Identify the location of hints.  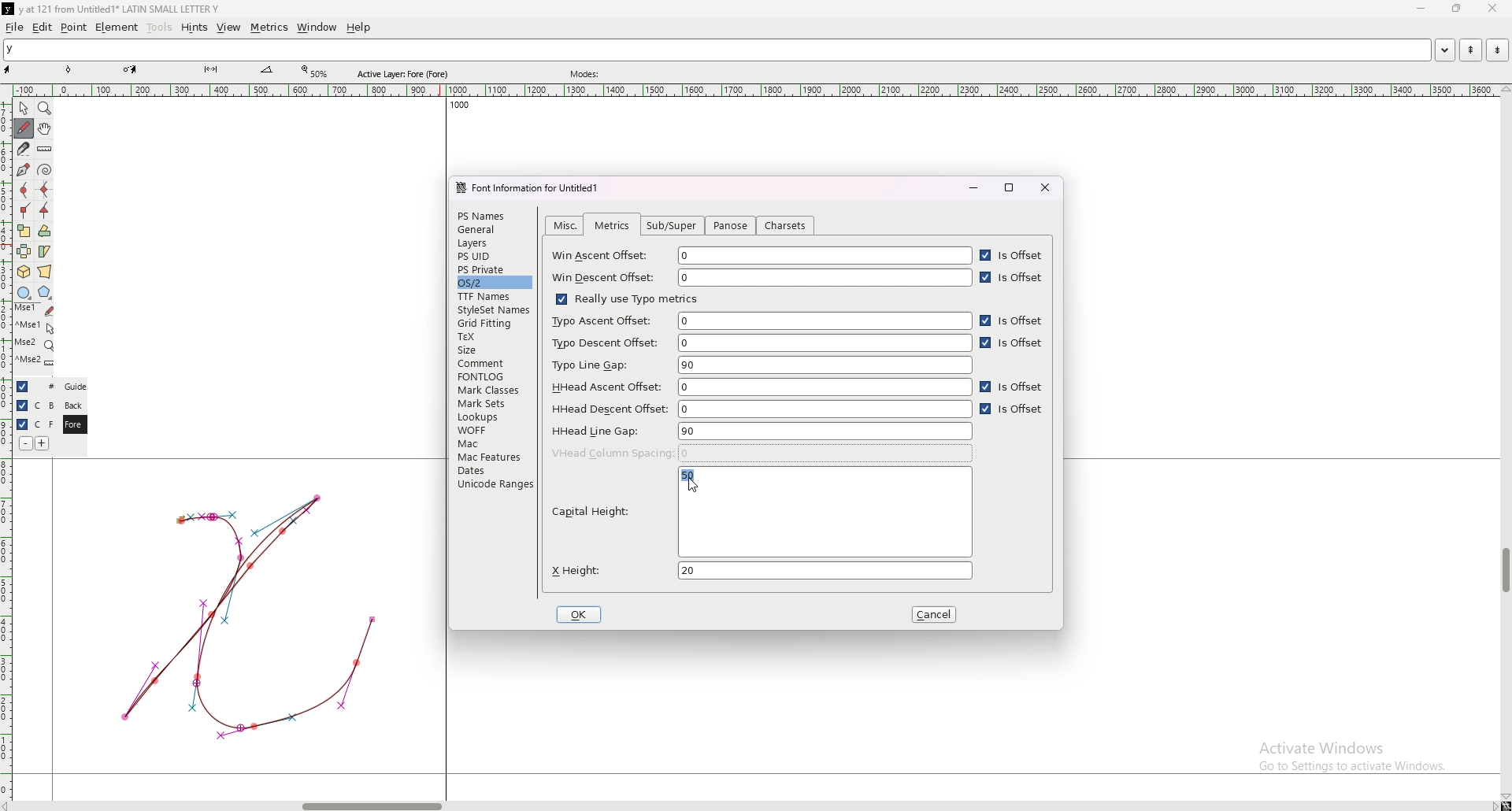
(193, 28).